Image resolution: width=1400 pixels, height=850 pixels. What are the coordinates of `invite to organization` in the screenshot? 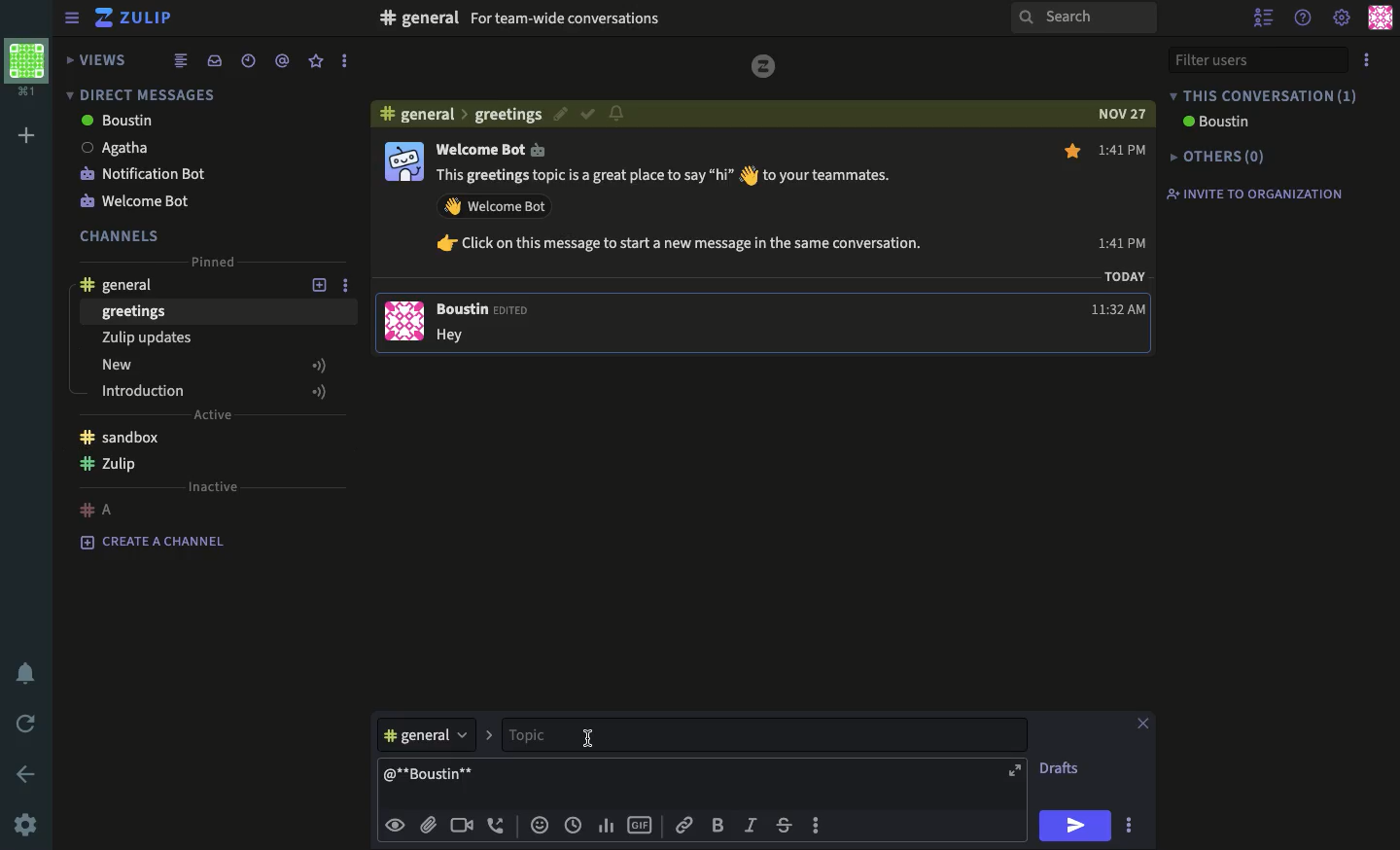 It's located at (1251, 192).